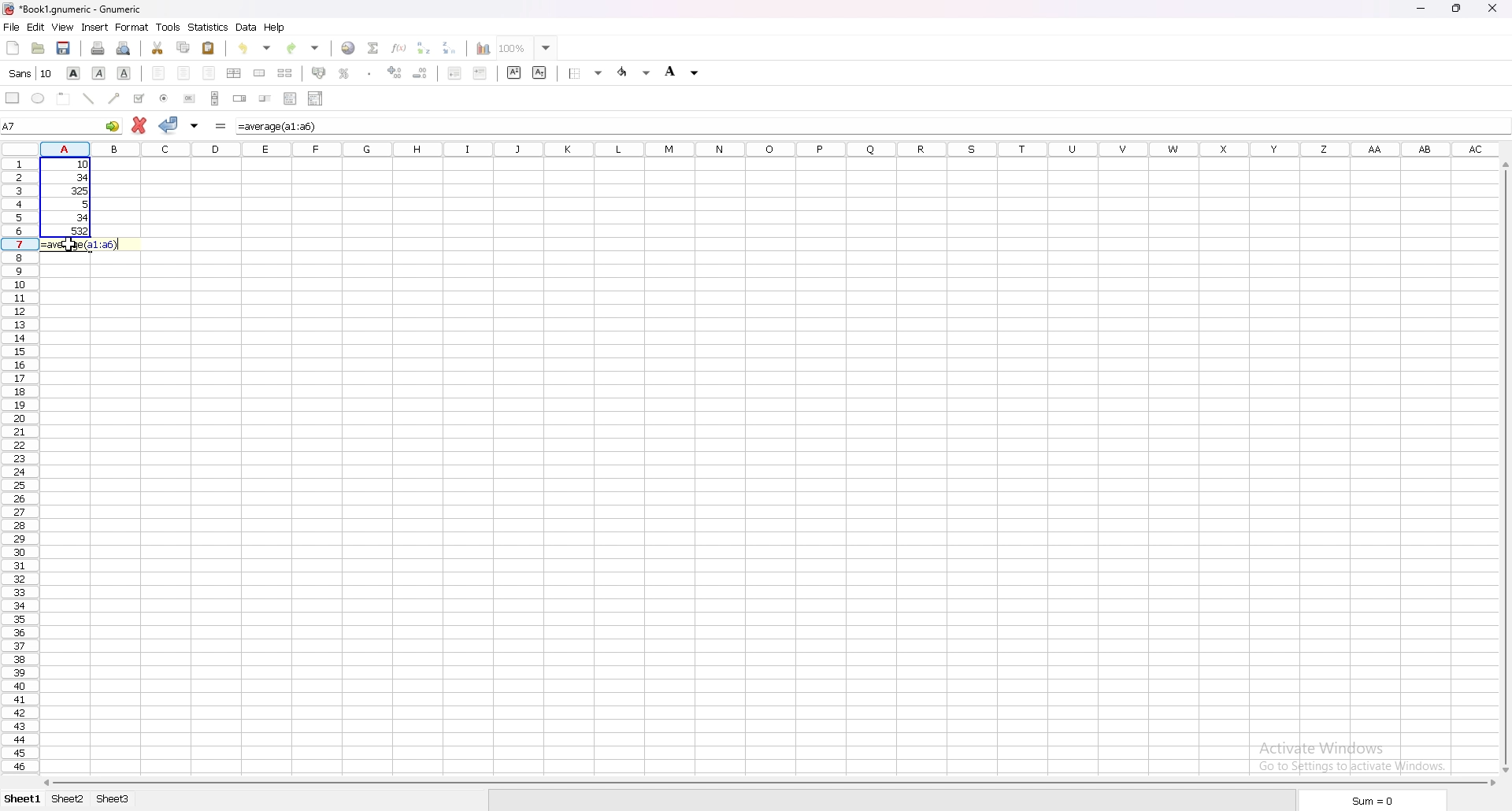  What do you see at coordinates (159, 71) in the screenshot?
I see `left align` at bounding box center [159, 71].